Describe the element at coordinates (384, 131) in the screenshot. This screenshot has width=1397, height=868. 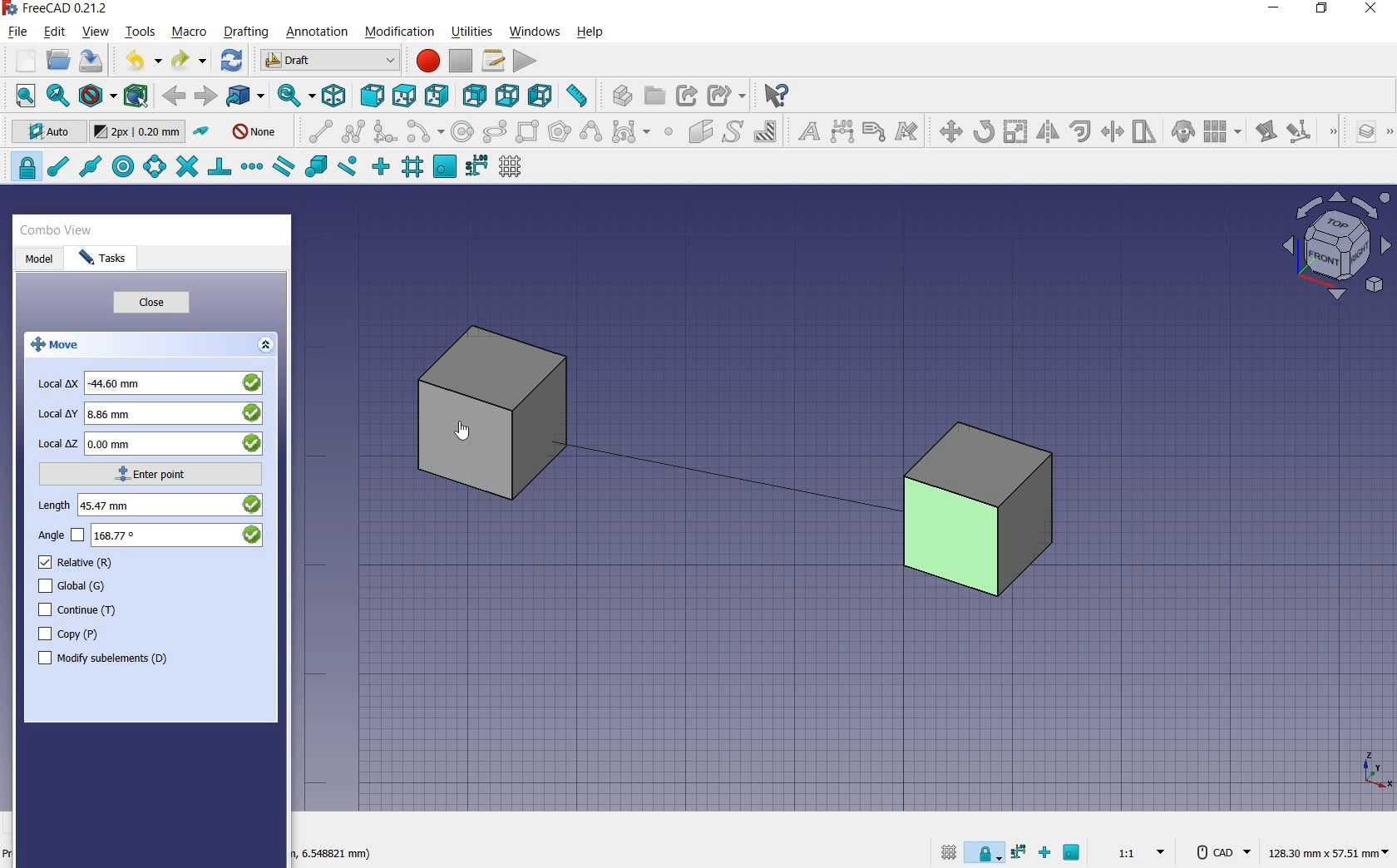
I see `fillet` at that location.